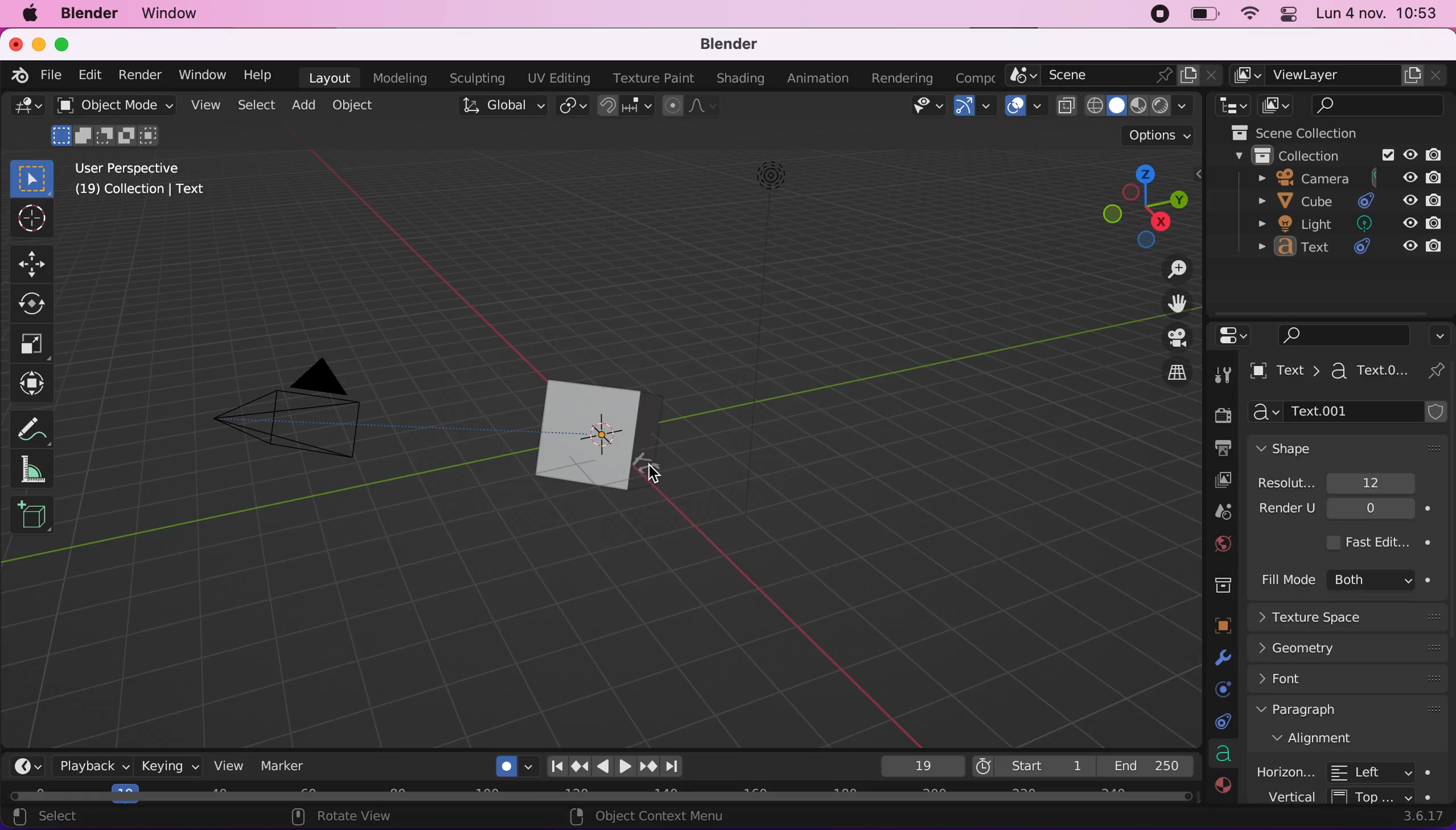 The width and height of the screenshot is (1456, 830). I want to click on 19, so click(919, 766).